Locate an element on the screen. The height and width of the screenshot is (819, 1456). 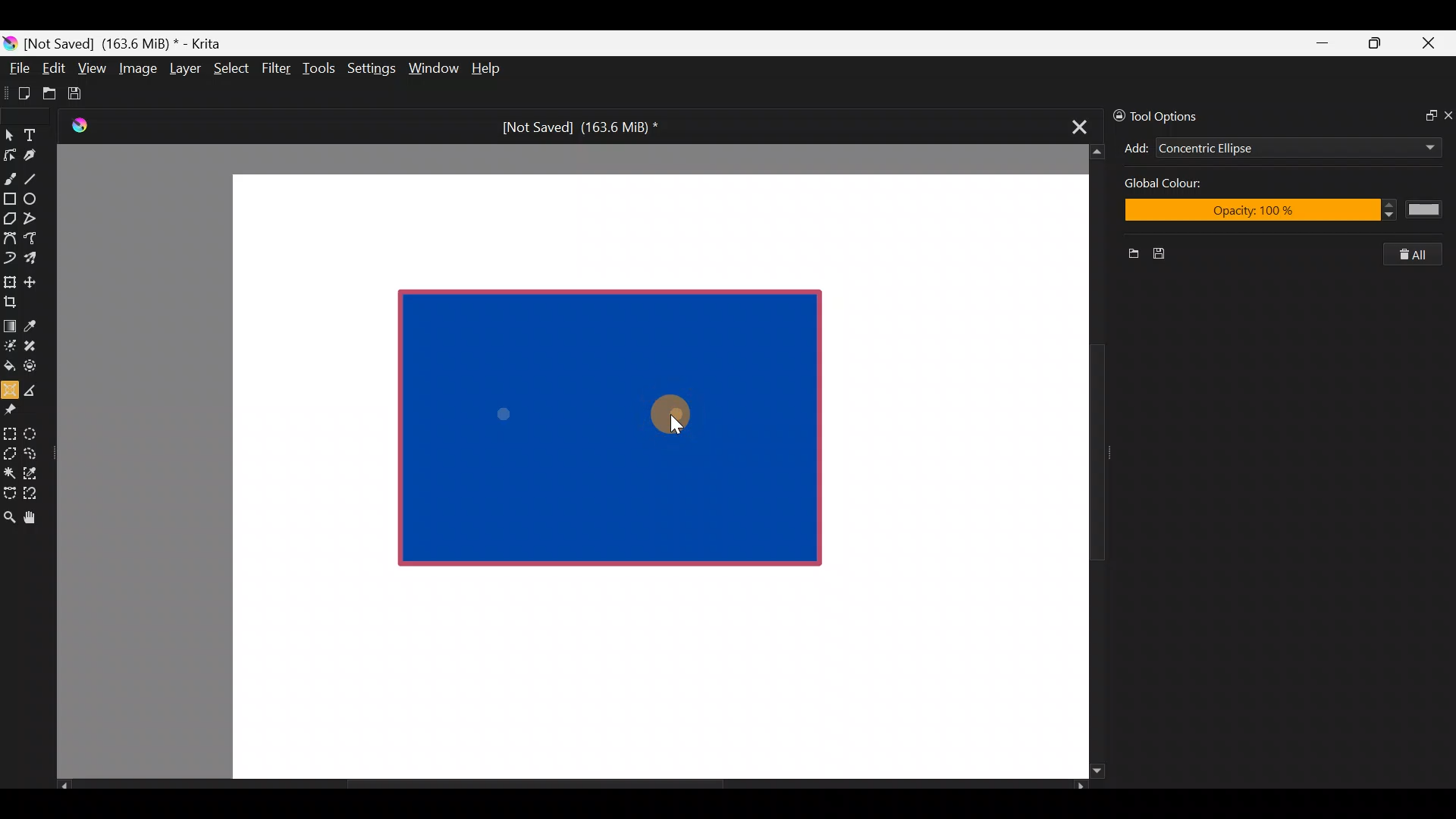
Select is located at coordinates (232, 67).